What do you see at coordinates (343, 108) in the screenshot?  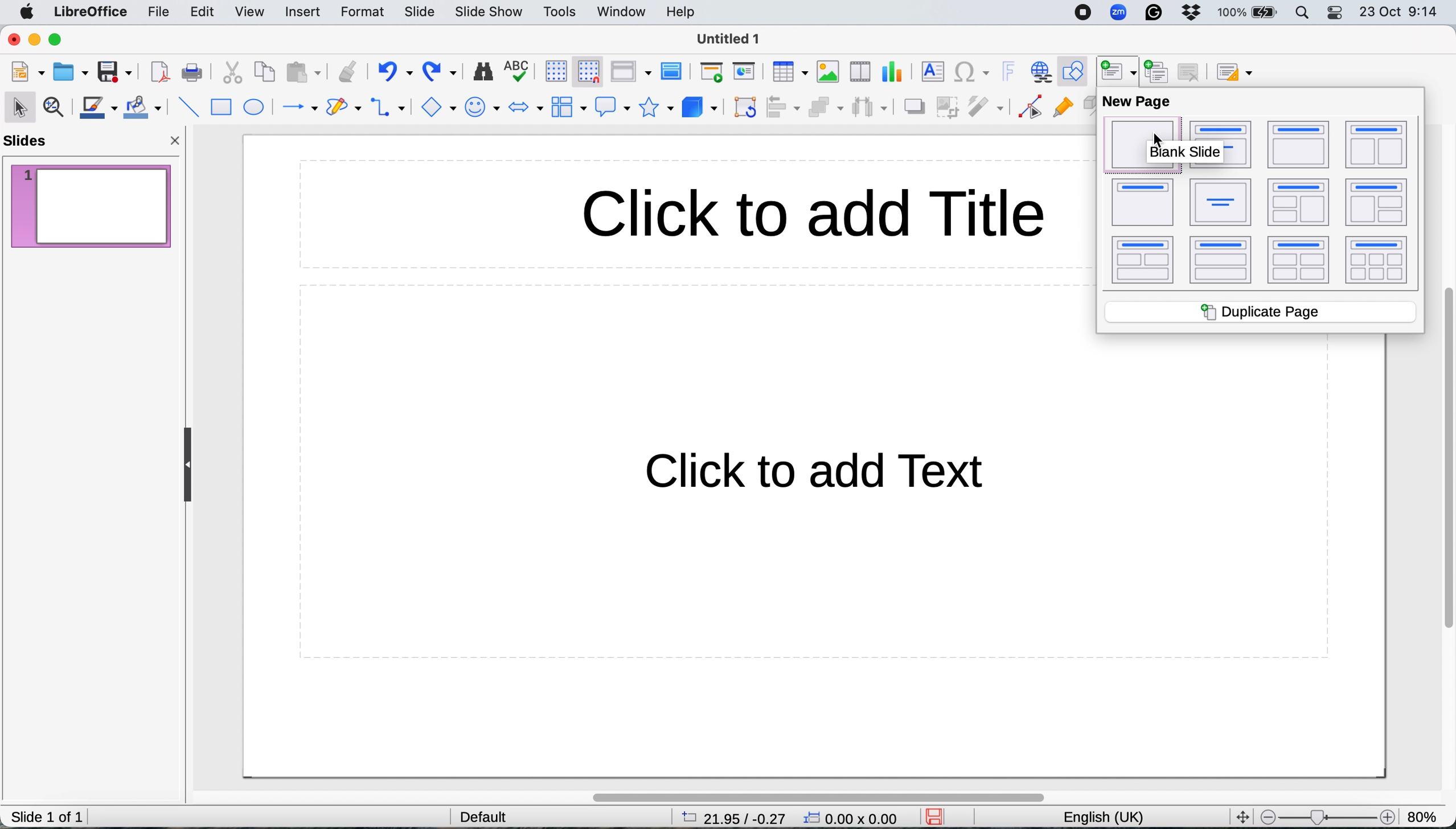 I see `curves and polygons` at bounding box center [343, 108].